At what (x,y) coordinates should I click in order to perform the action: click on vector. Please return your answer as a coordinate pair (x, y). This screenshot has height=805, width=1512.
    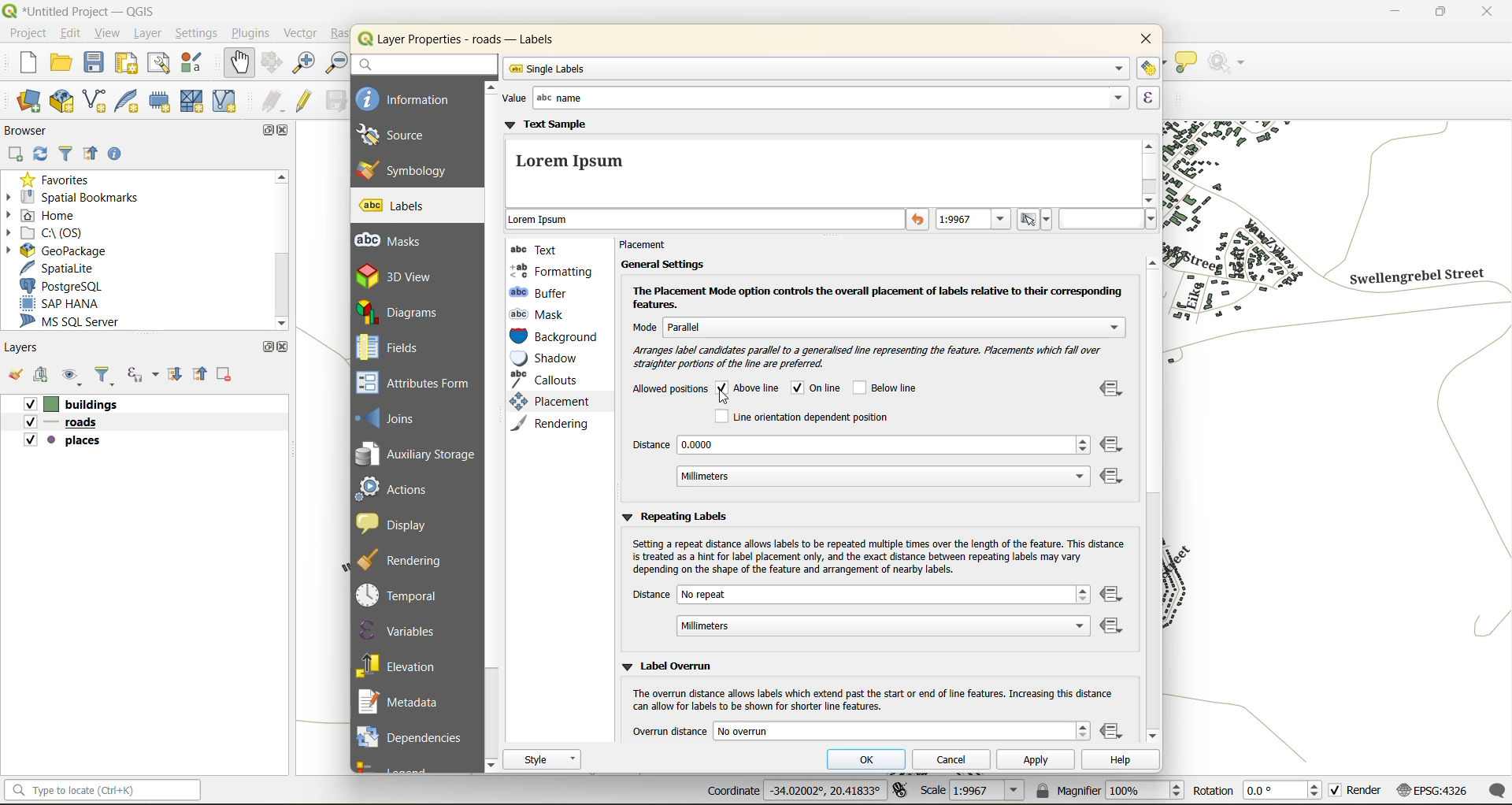
    Looking at the image, I should click on (305, 34).